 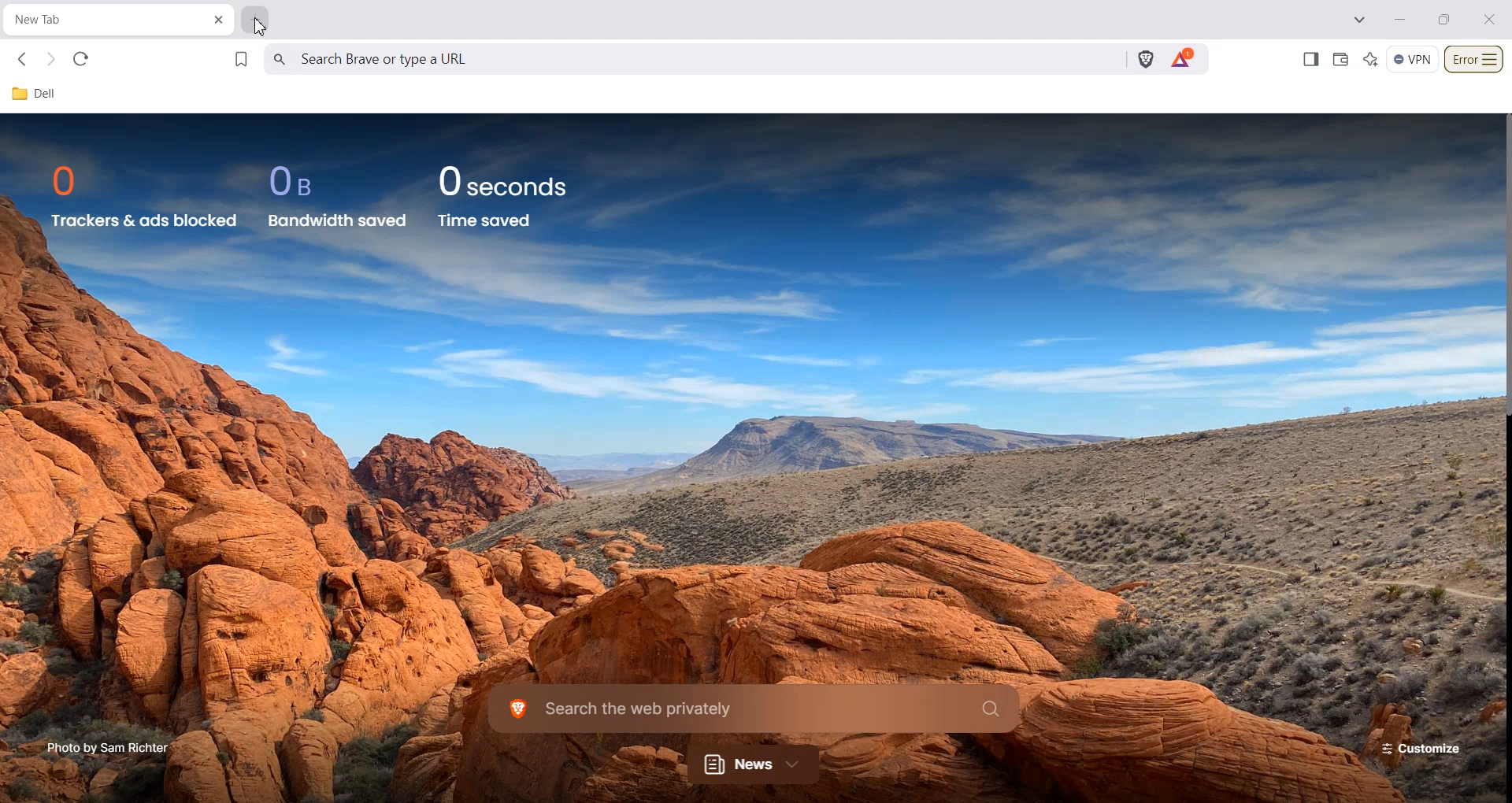 What do you see at coordinates (1361, 20) in the screenshot?
I see `Search tabs` at bounding box center [1361, 20].